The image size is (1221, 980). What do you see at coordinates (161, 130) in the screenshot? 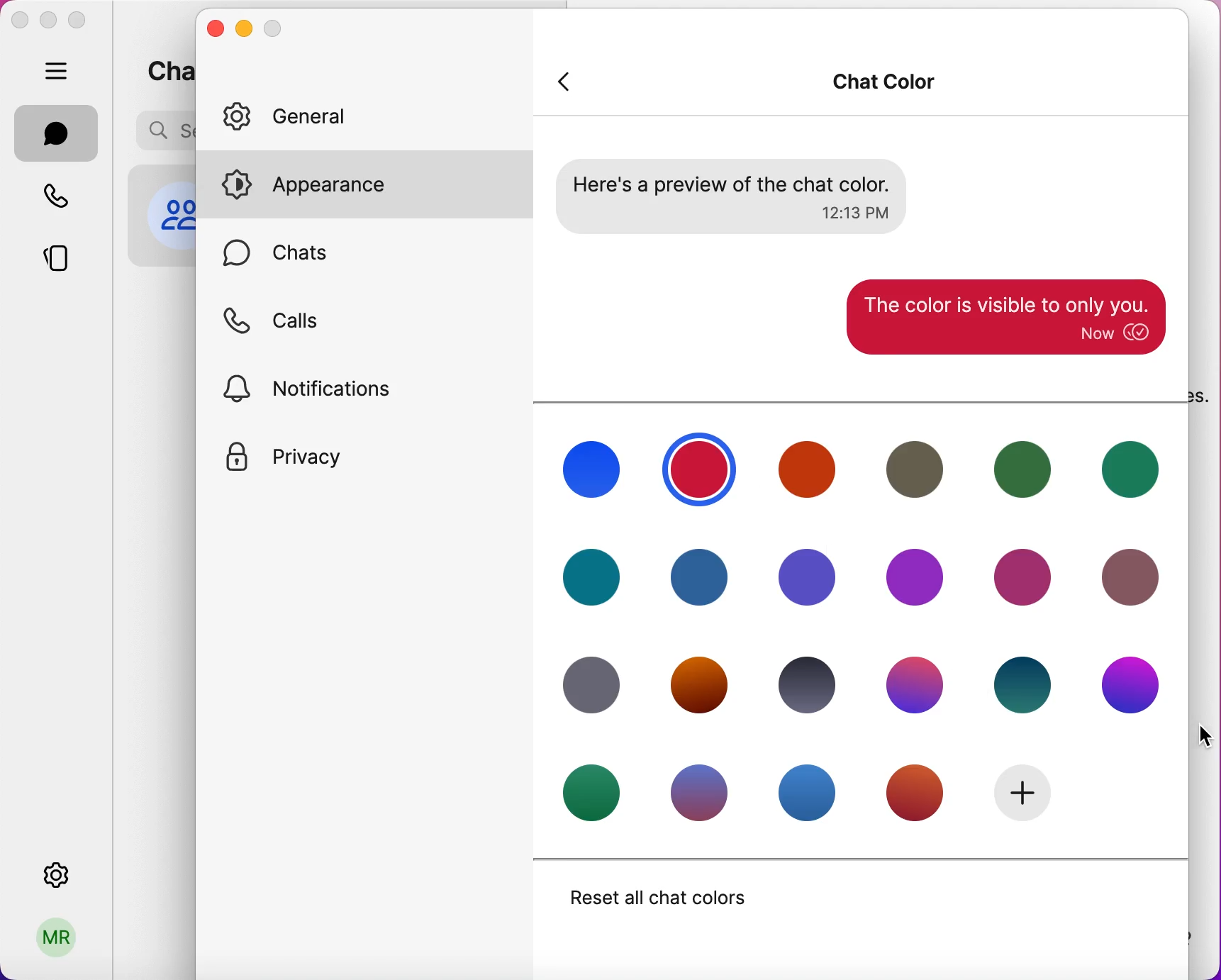
I see `search bar` at bounding box center [161, 130].